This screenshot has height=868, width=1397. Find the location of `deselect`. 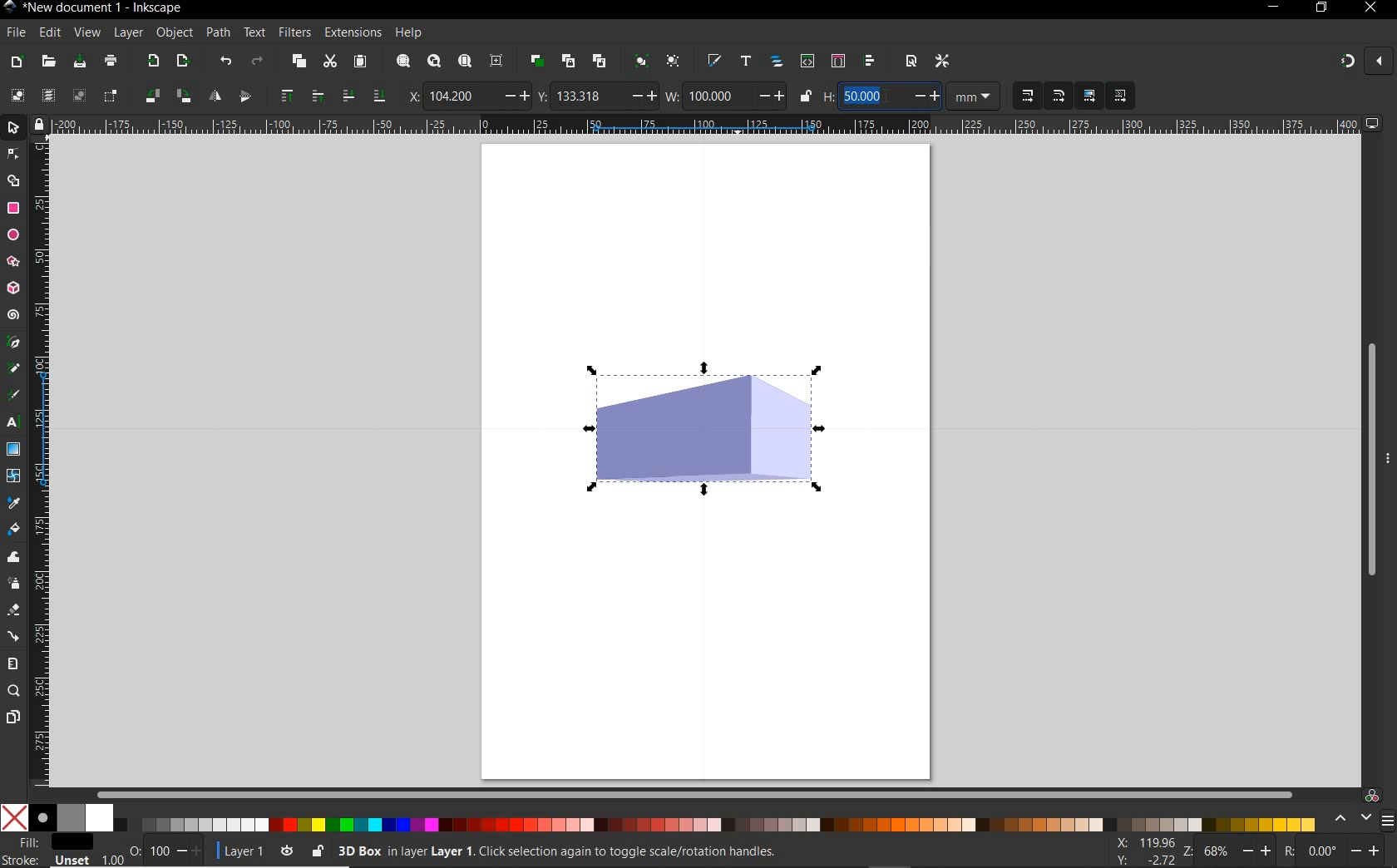

deselect is located at coordinates (78, 96).